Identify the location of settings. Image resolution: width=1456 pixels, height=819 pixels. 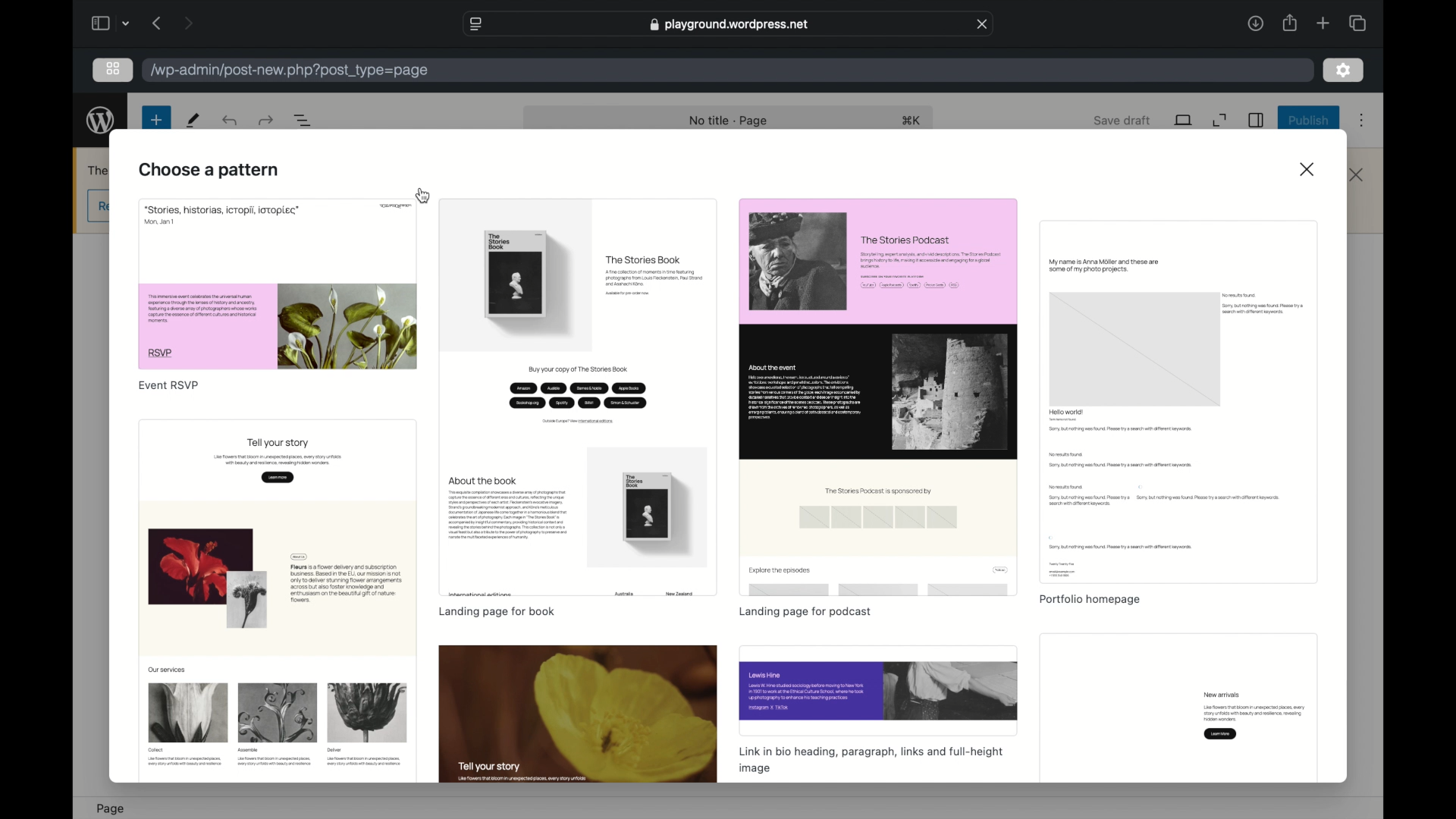
(1344, 71).